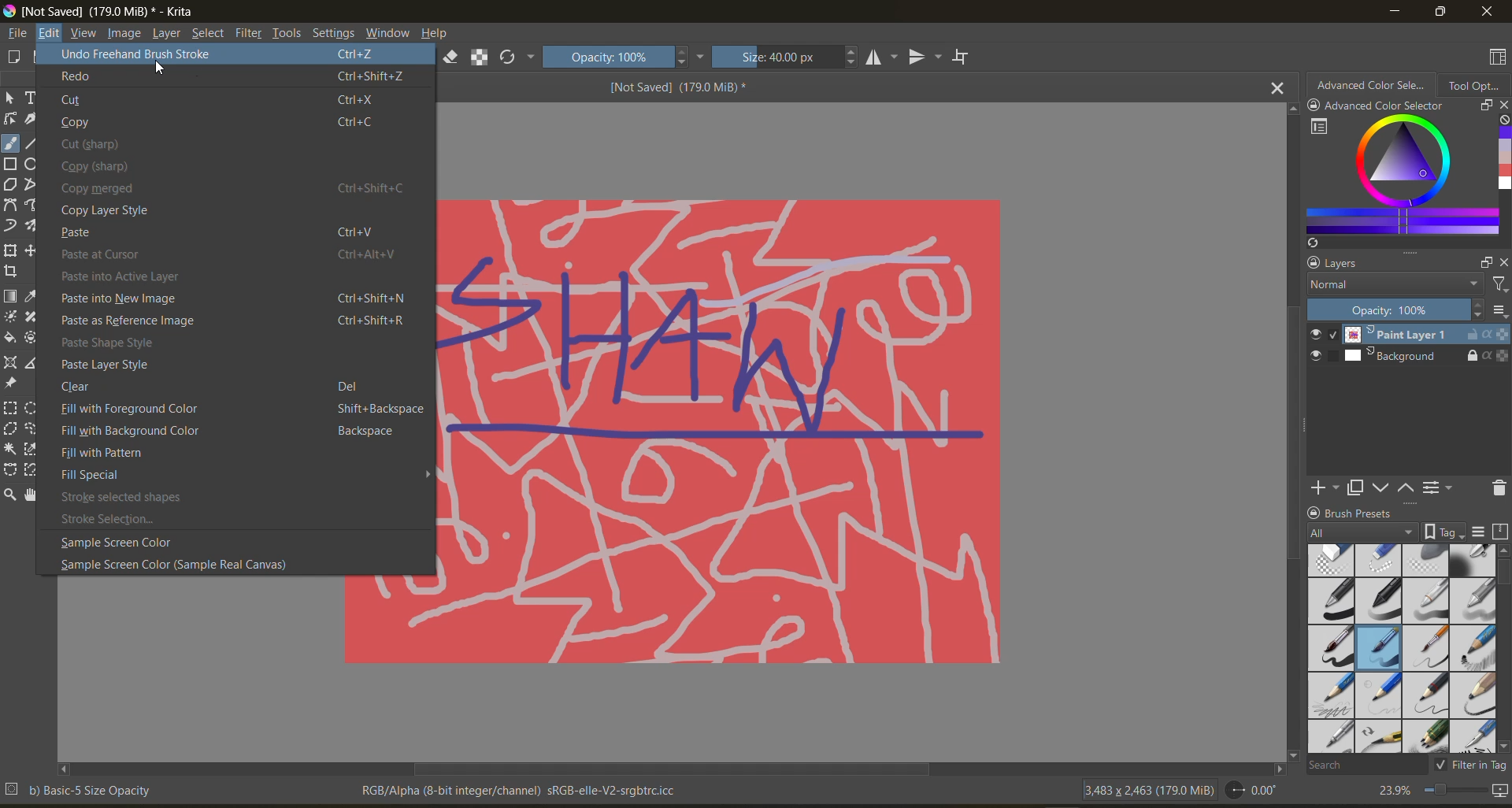 This screenshot has height=808, width=1512. Describe the element at coordinates (1314, 265) in the screenshot. I see `lock docker` at that location.